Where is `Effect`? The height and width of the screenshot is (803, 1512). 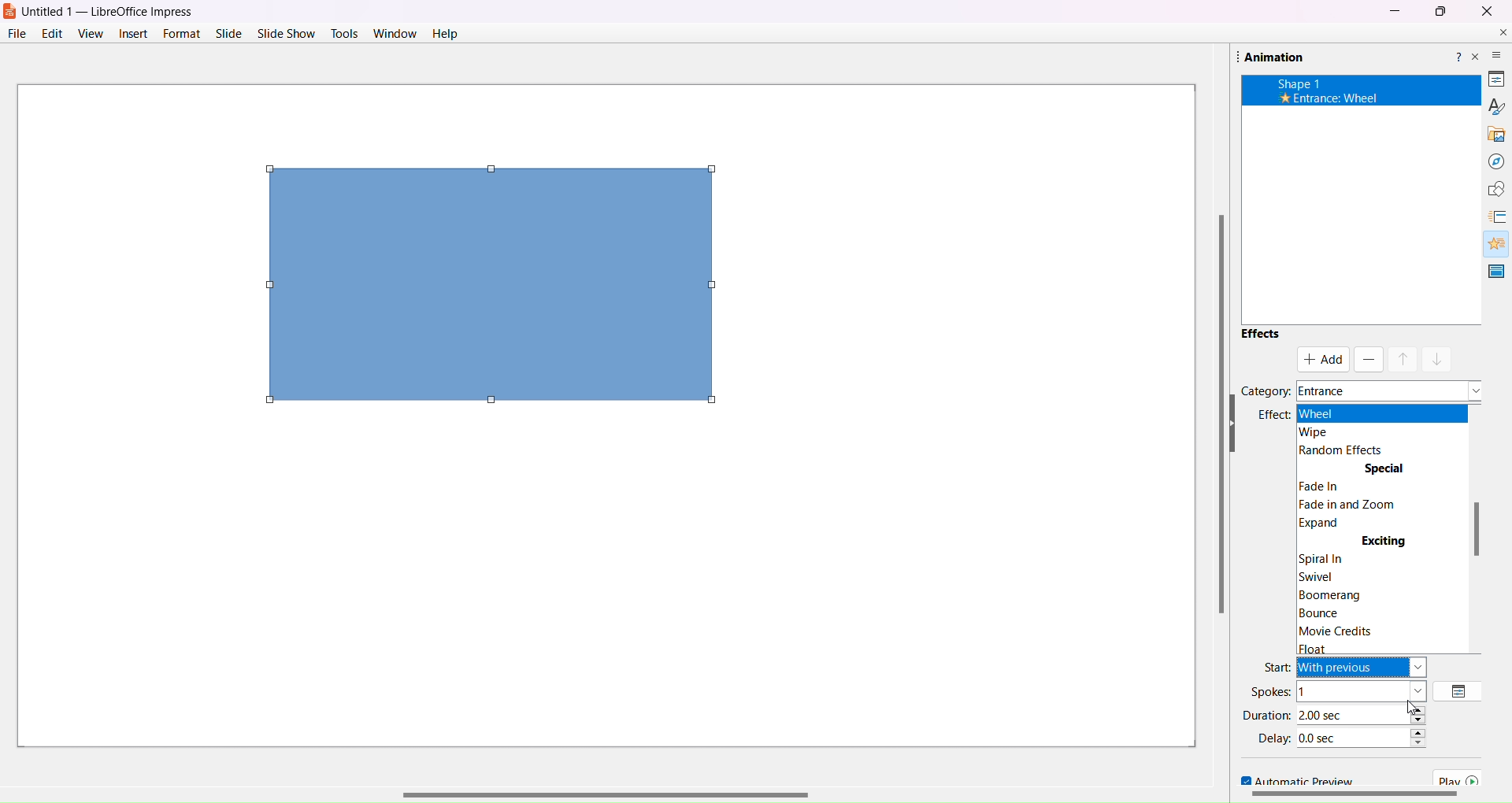
Effect is located at coordinates (1271, 415).